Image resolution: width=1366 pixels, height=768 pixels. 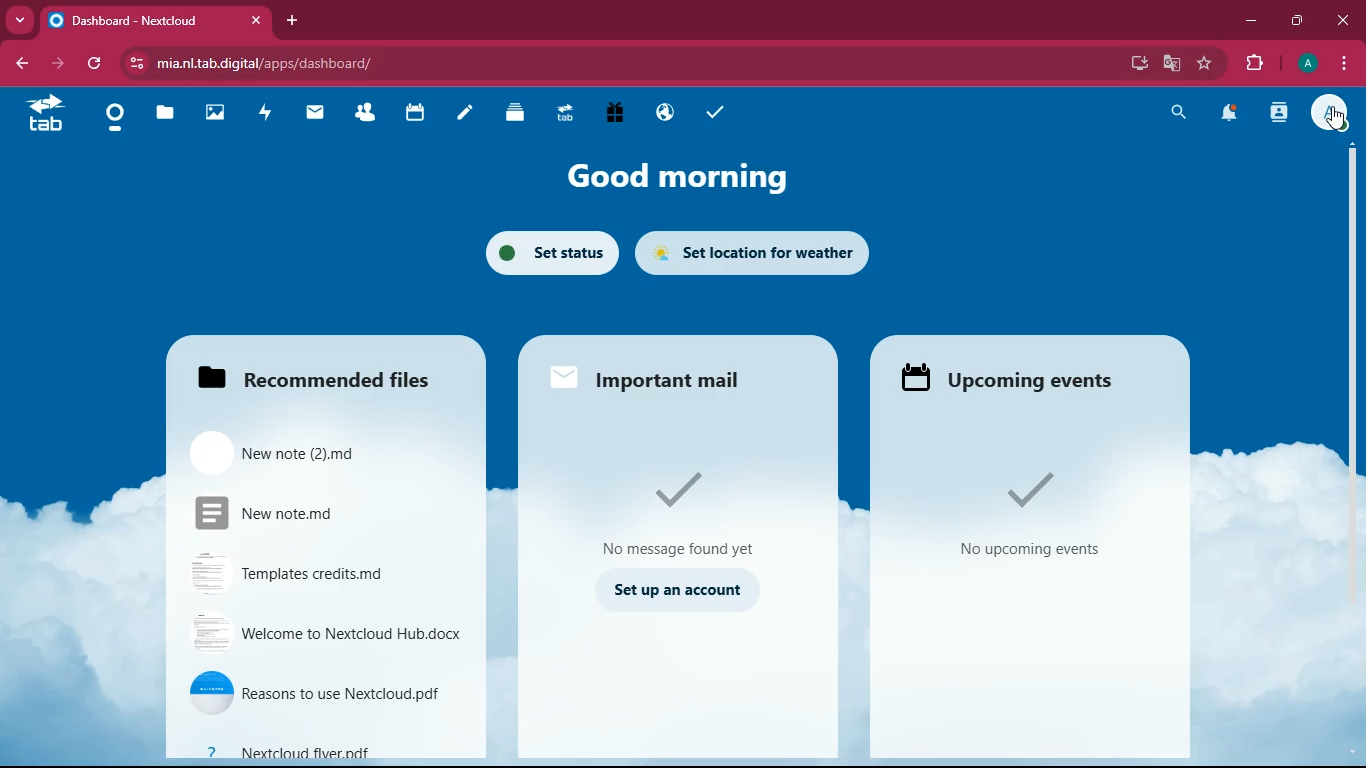 I want to click on favourite, so click(x=1202, y=64).